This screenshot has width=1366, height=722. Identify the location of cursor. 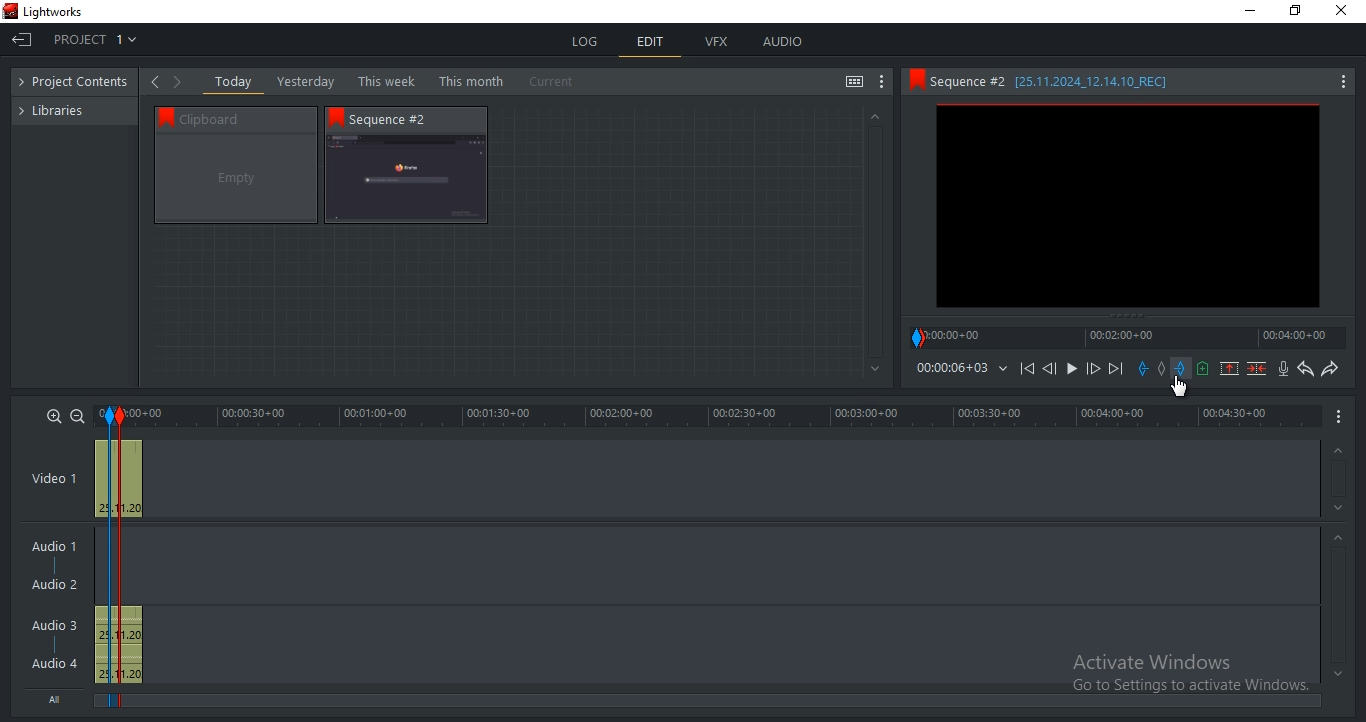
(1182, 389).